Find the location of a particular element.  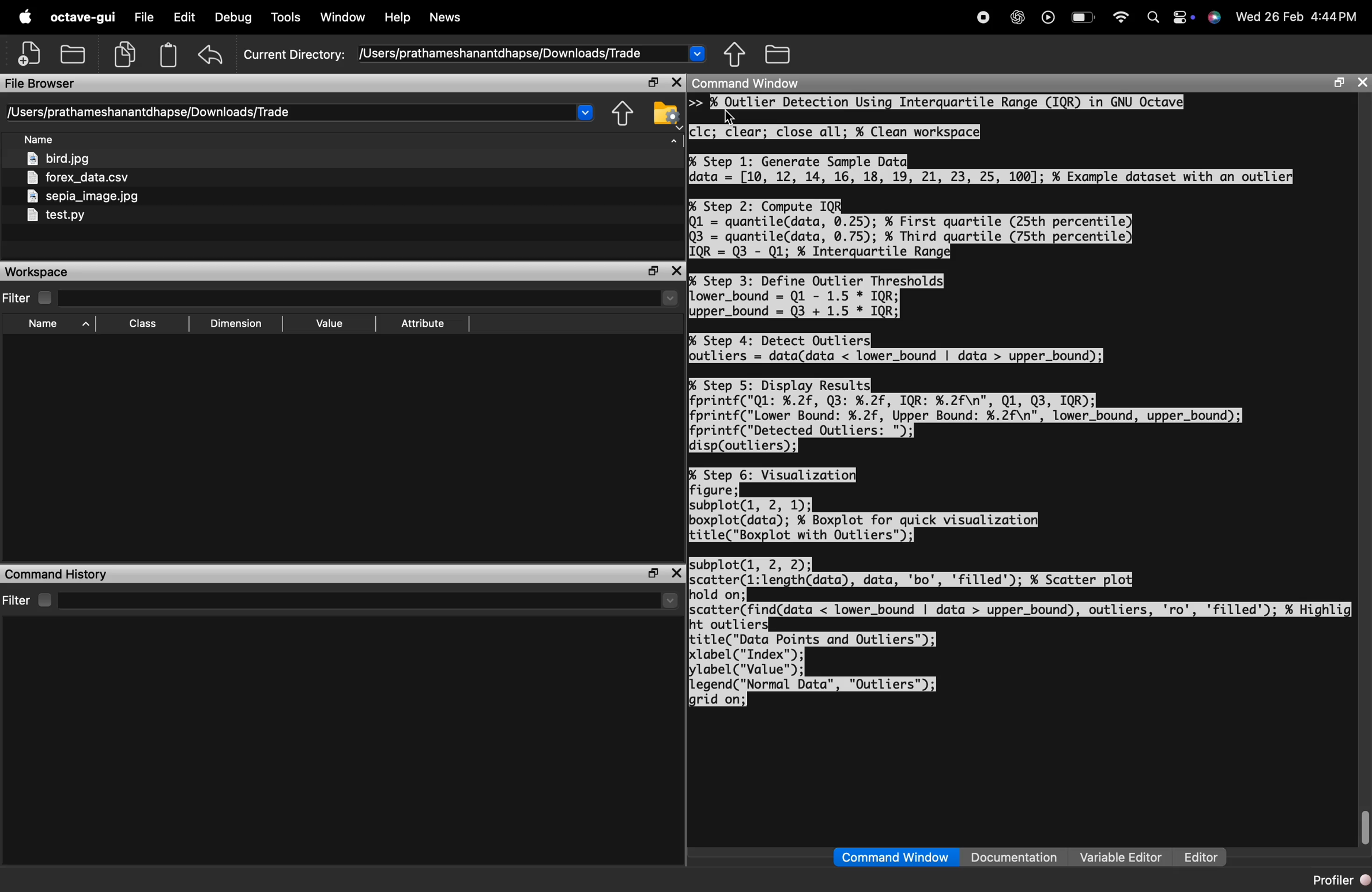

clipboard is located at coordinates (168, 55).